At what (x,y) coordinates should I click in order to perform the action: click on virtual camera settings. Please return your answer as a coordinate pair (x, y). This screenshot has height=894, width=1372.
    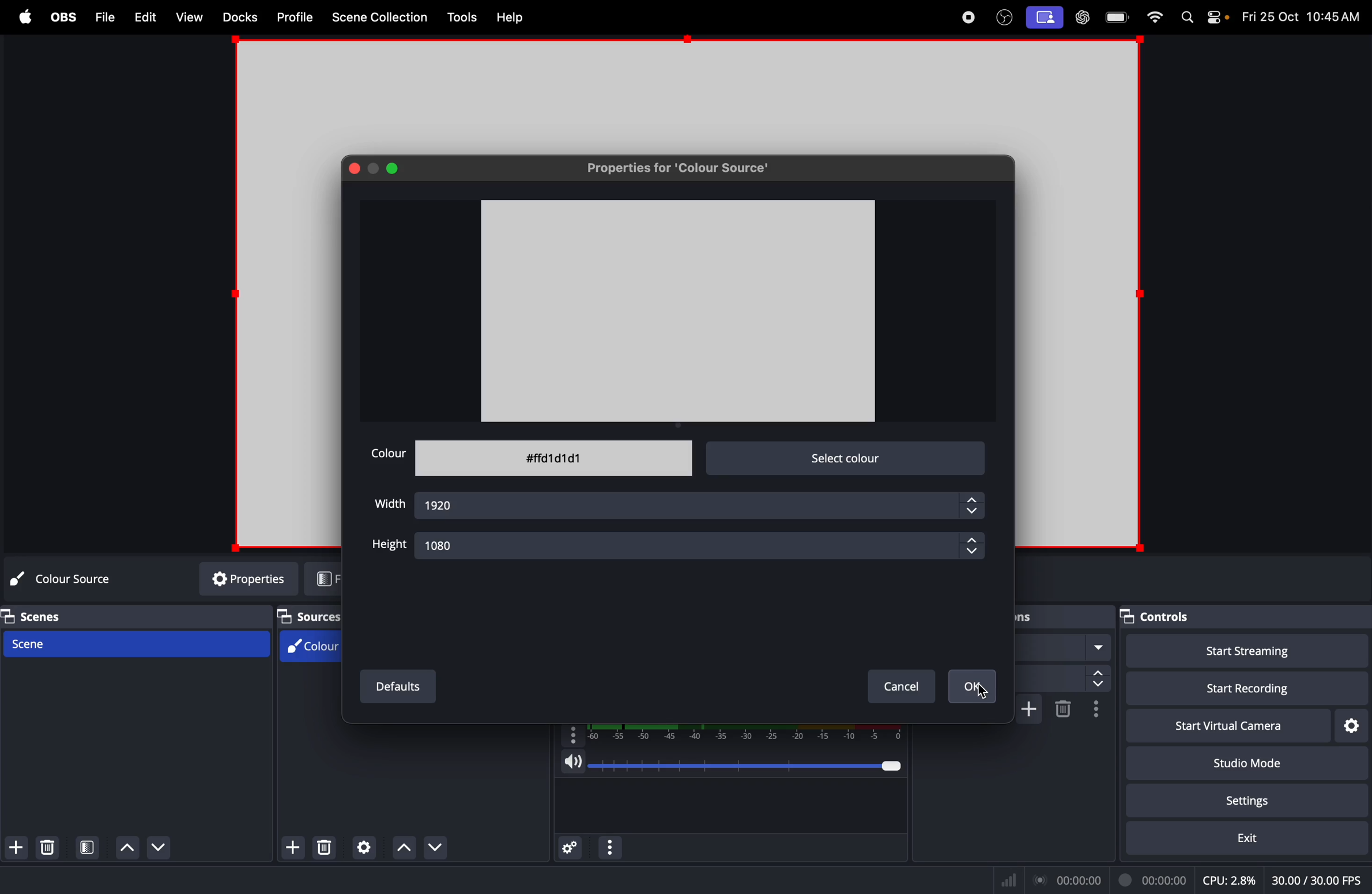
    Looking at the image, I should click on (1351, 724).